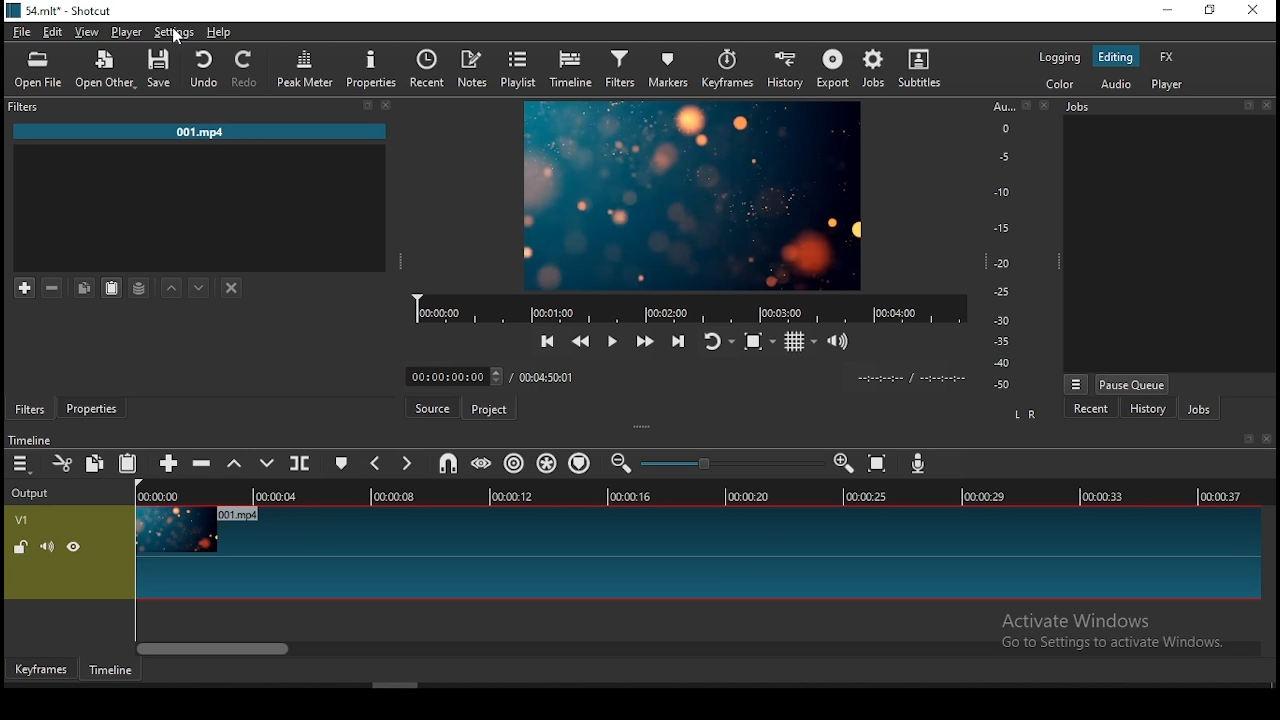 The image size is (1280, 720). What do you see at coordinates (842, 340) in the screenshot?
I see `volume control` at bounding box center [842, 340].